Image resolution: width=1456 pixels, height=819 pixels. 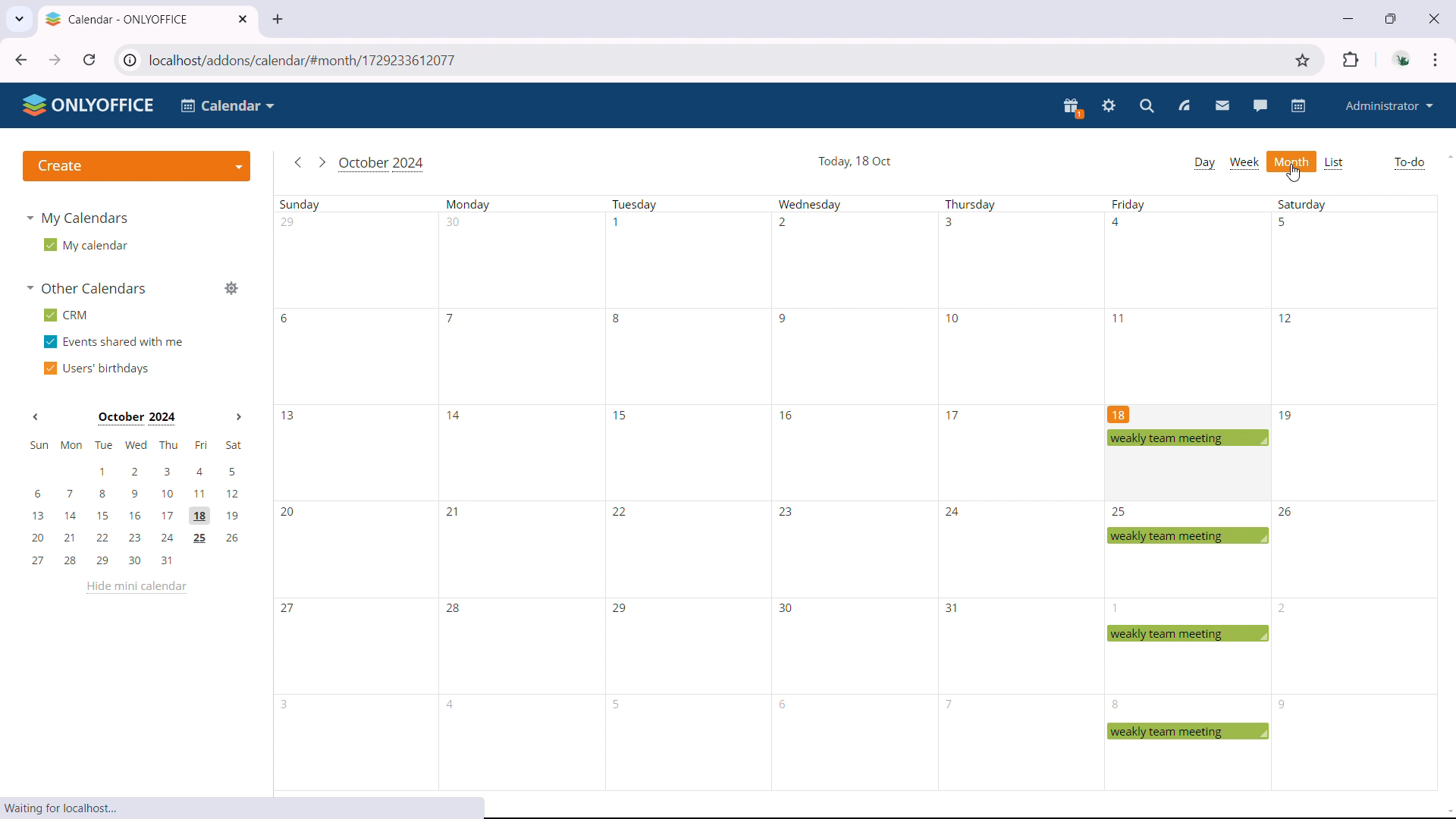 What do you see at coordinates (129, 61) in the screenshot?
I see `view site information` at bounding box center [129, 61].